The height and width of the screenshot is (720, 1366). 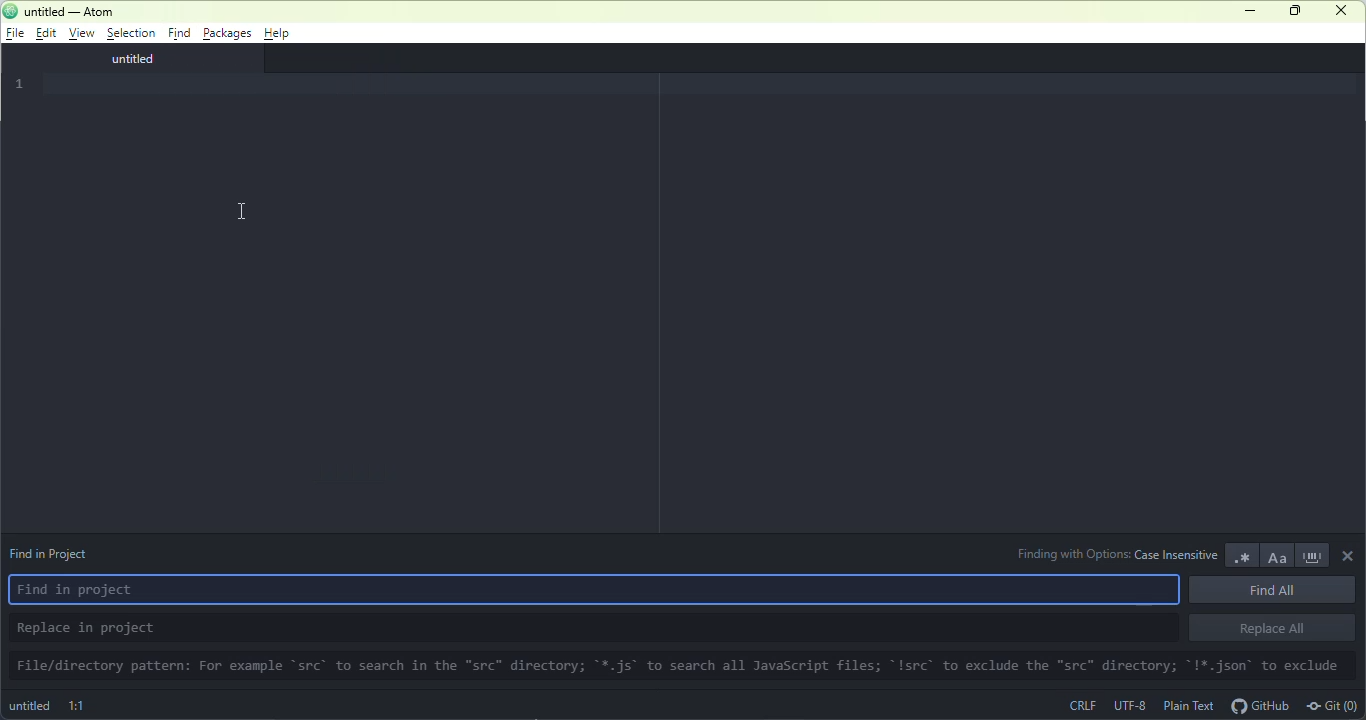 I want to click on CRLF, so click(x=1085, y=706).